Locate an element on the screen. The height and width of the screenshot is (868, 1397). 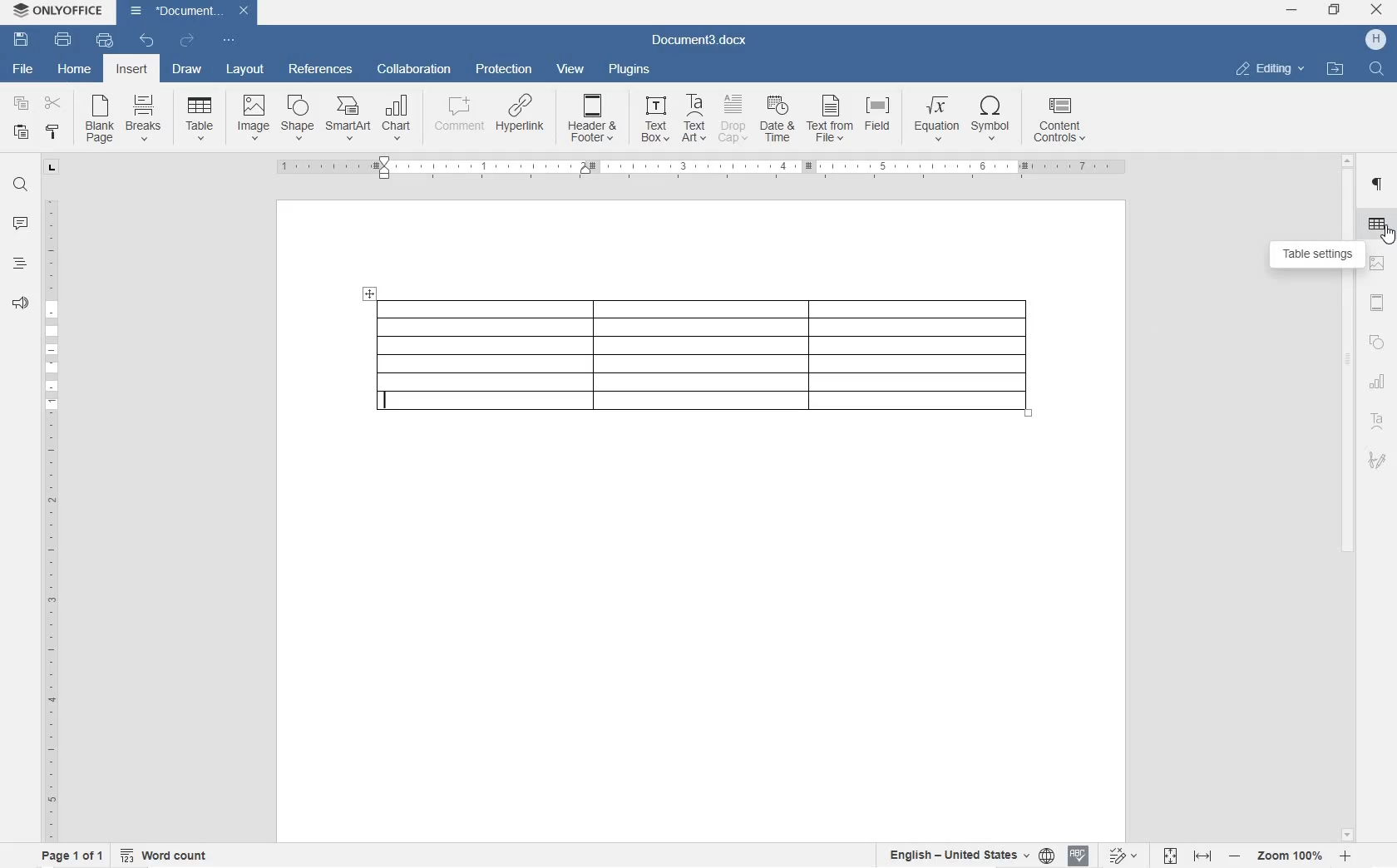
TEXT FROM FILE is located at coordinates (829, 121).